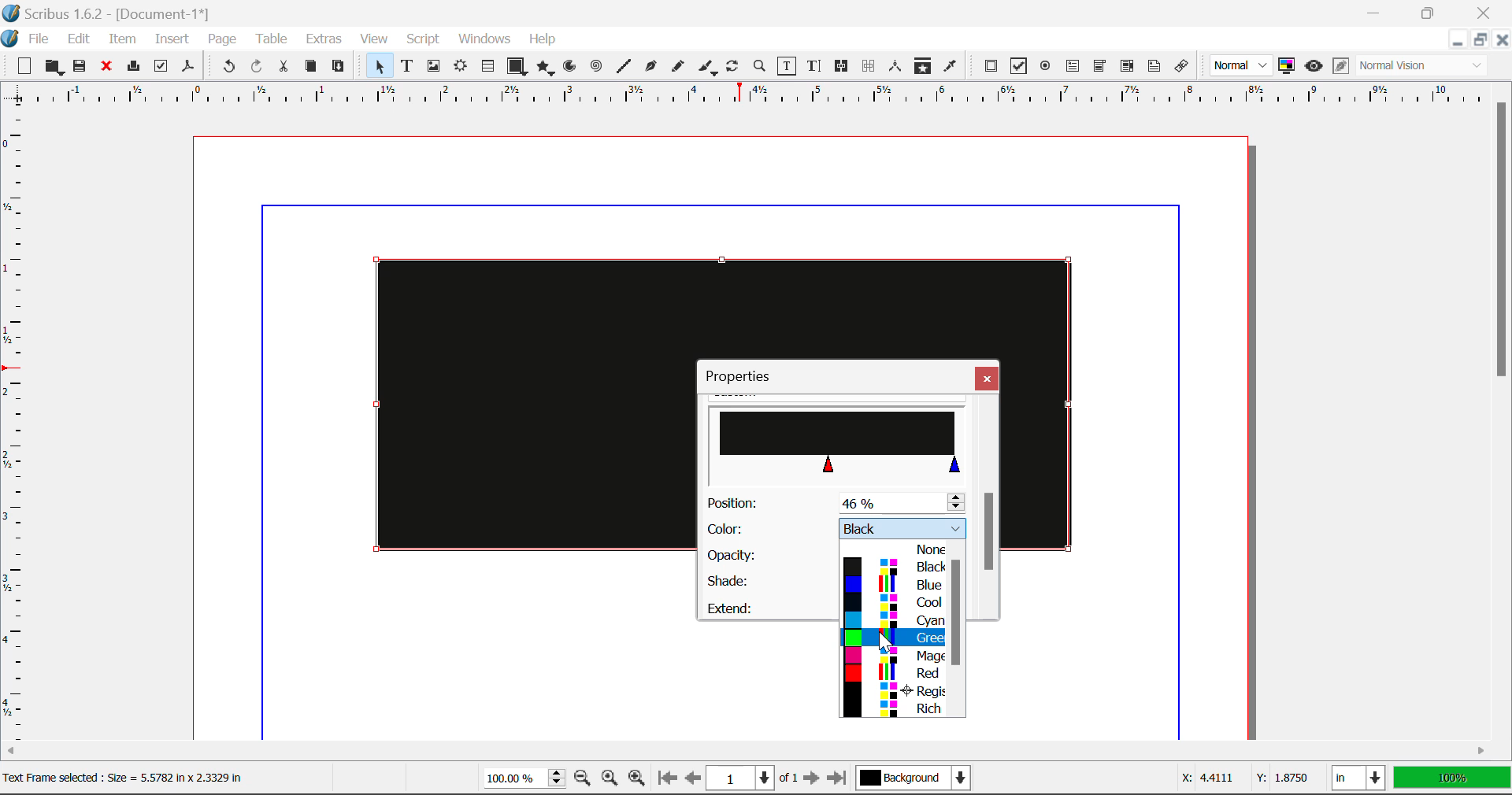  Describe the element at coordinates (898, 549) in the screenshot. I see `None` at that location.